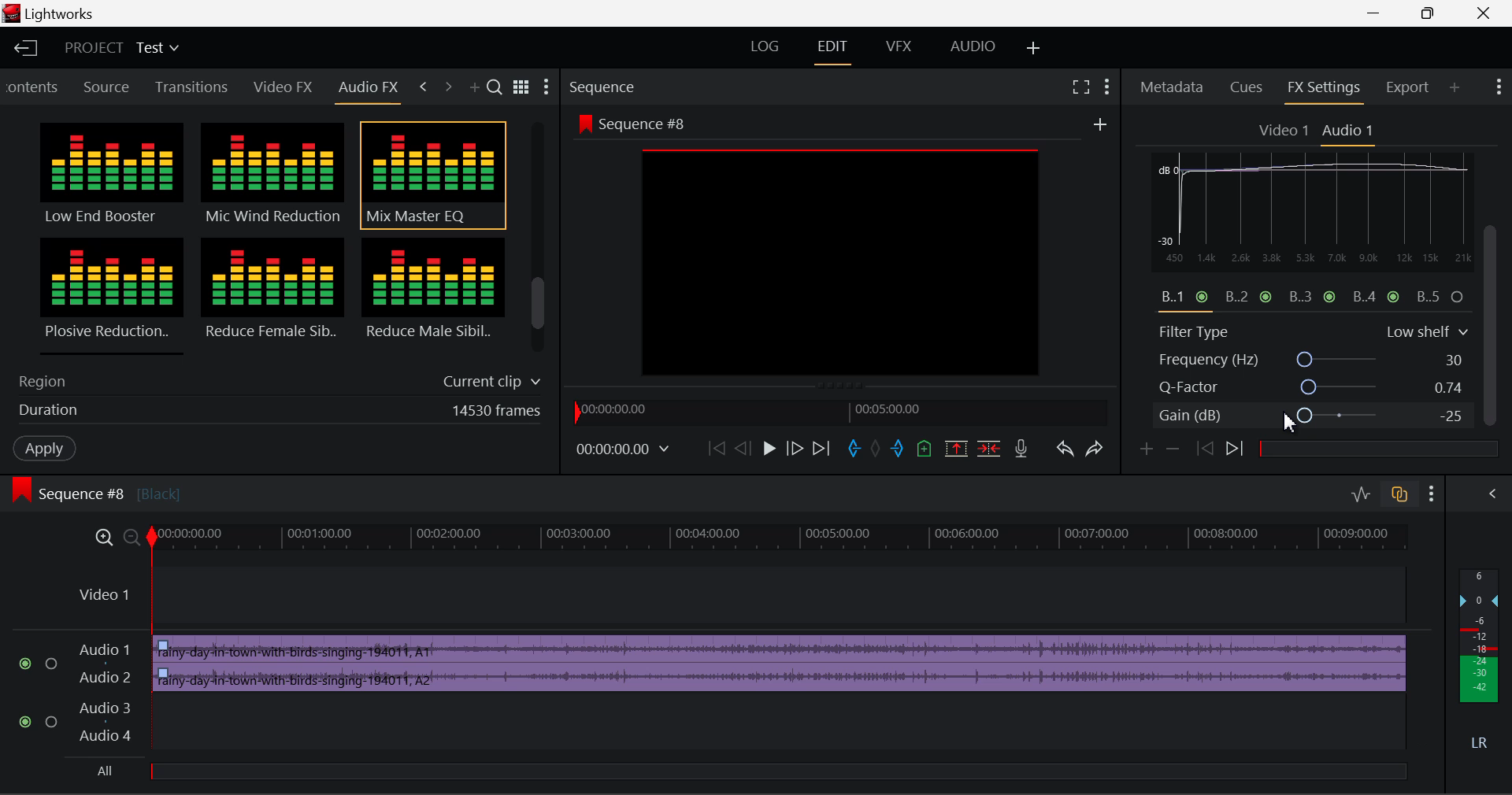 This screenshot has width=1512, height=795. What do you see at coordinates (1099, 453) in the screenshot?
I see `Redo` at bounding box center [1099, 453].